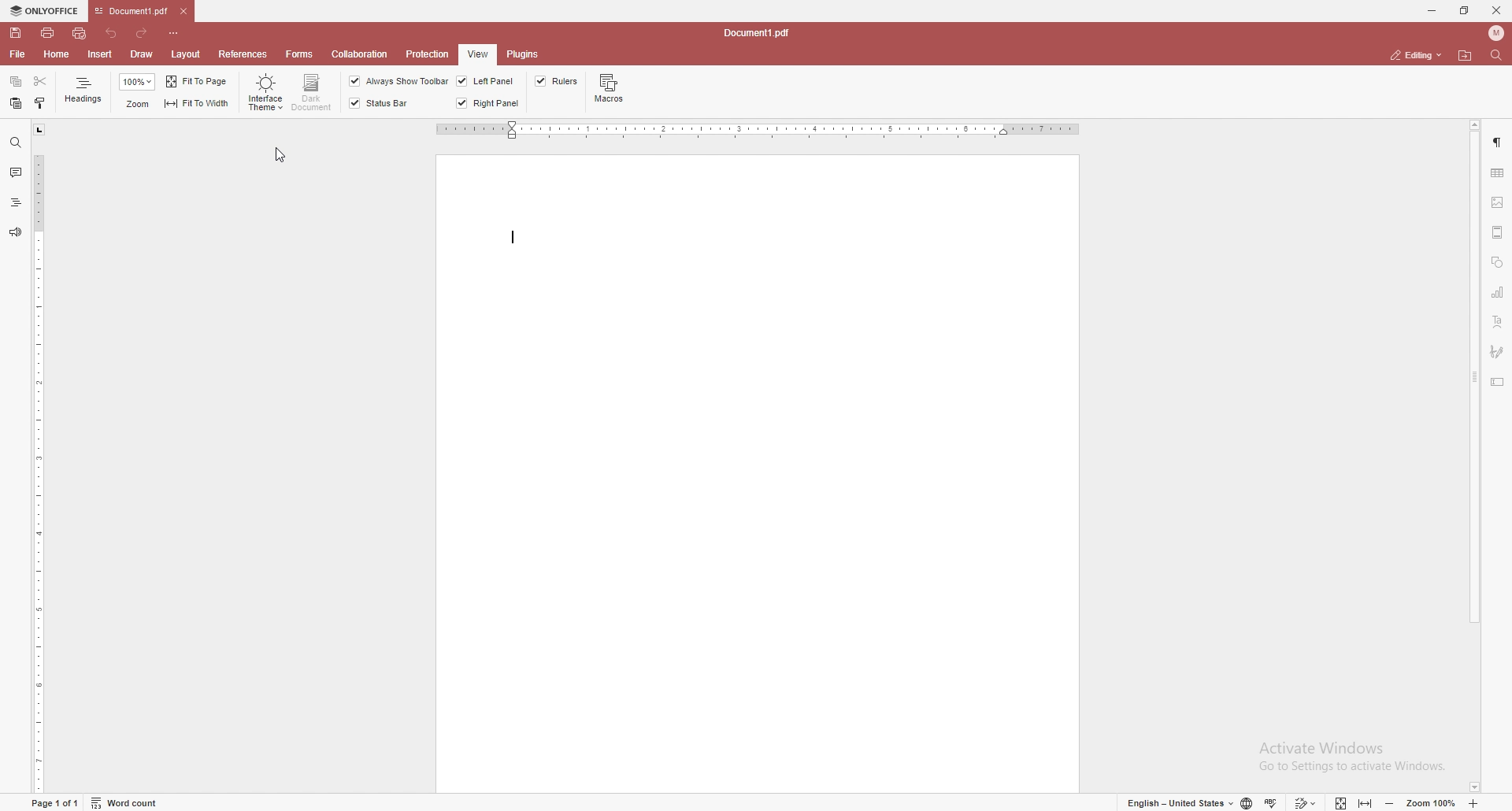 Image resolution: width=1512 pixels, height=811 pixels. Describe the element at coordinates (16, 82) in the screenshot. I see `copy` at that location.